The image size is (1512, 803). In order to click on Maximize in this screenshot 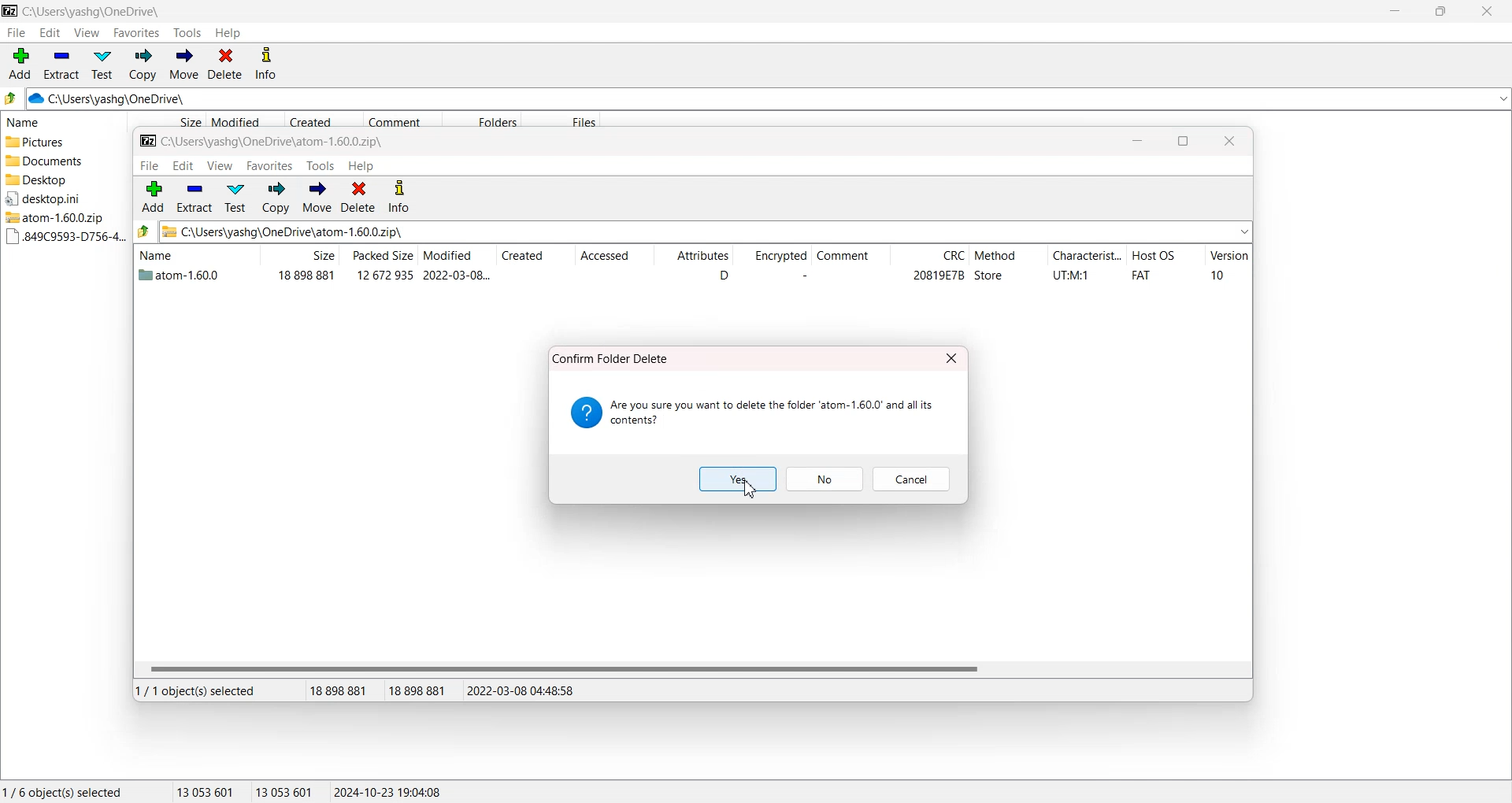, I will do `click(1440, 11)`.